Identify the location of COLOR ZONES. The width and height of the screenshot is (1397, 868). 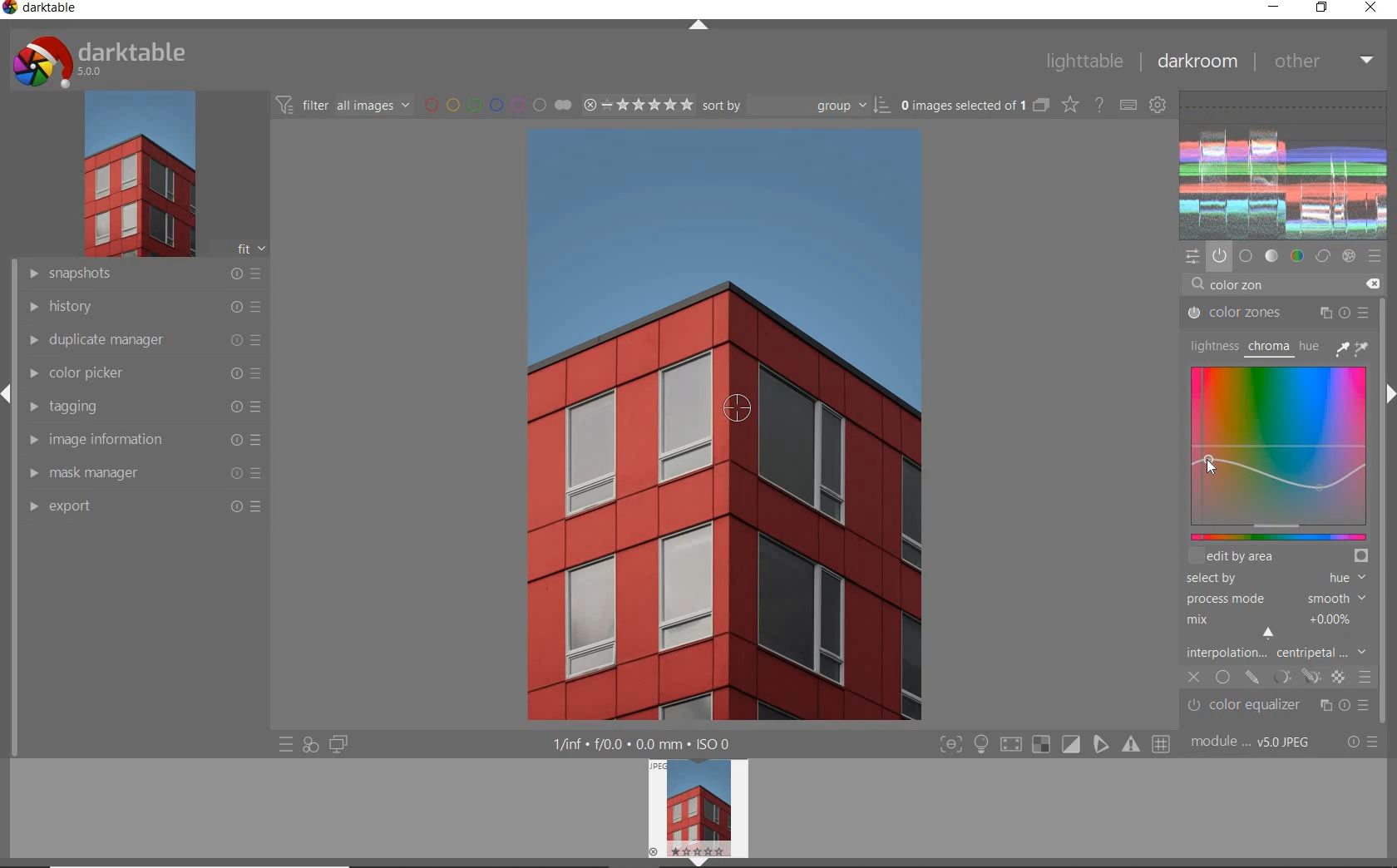
(1278, 313).